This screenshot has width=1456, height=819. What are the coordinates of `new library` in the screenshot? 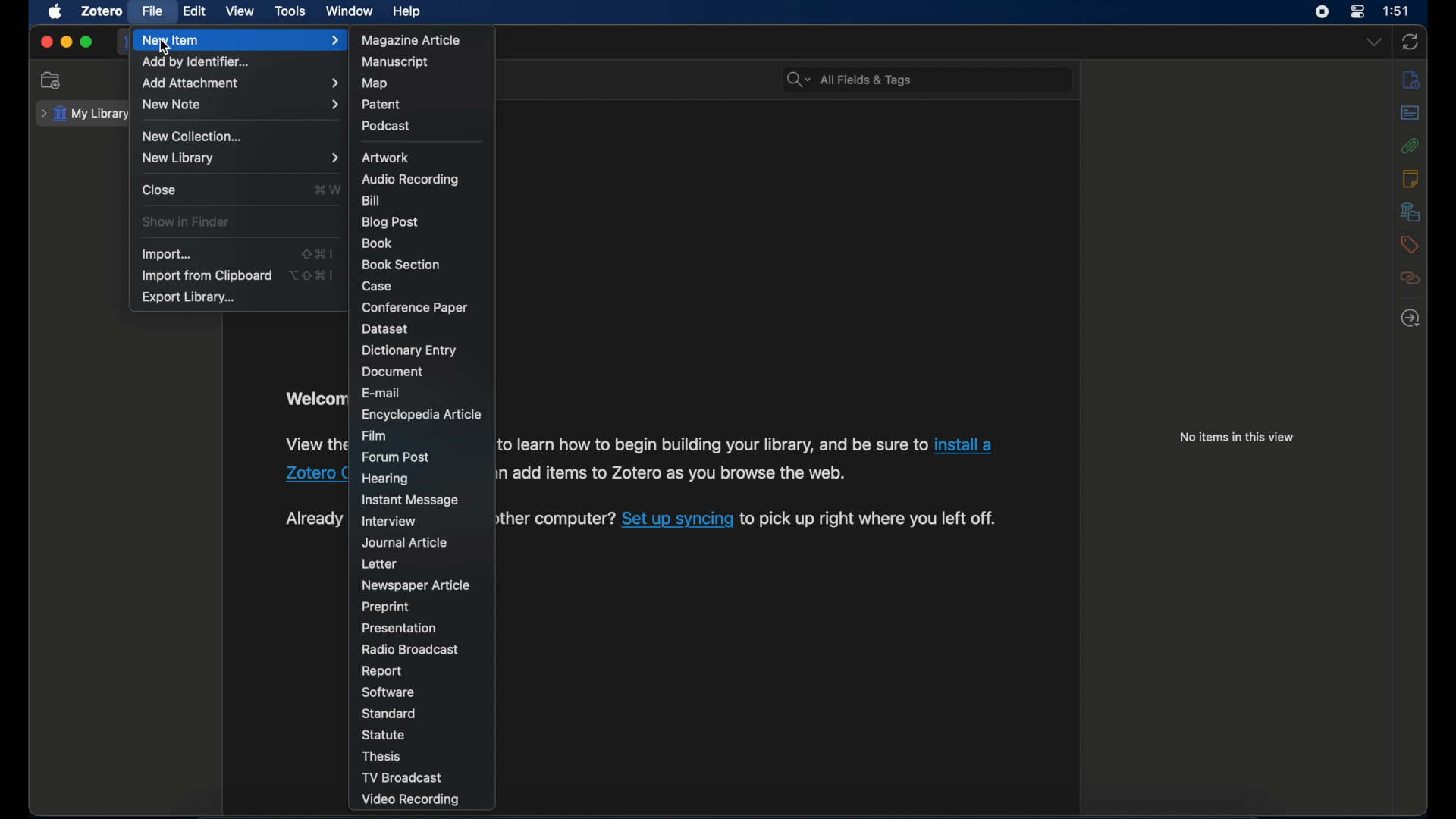 It's located at (242, 158).